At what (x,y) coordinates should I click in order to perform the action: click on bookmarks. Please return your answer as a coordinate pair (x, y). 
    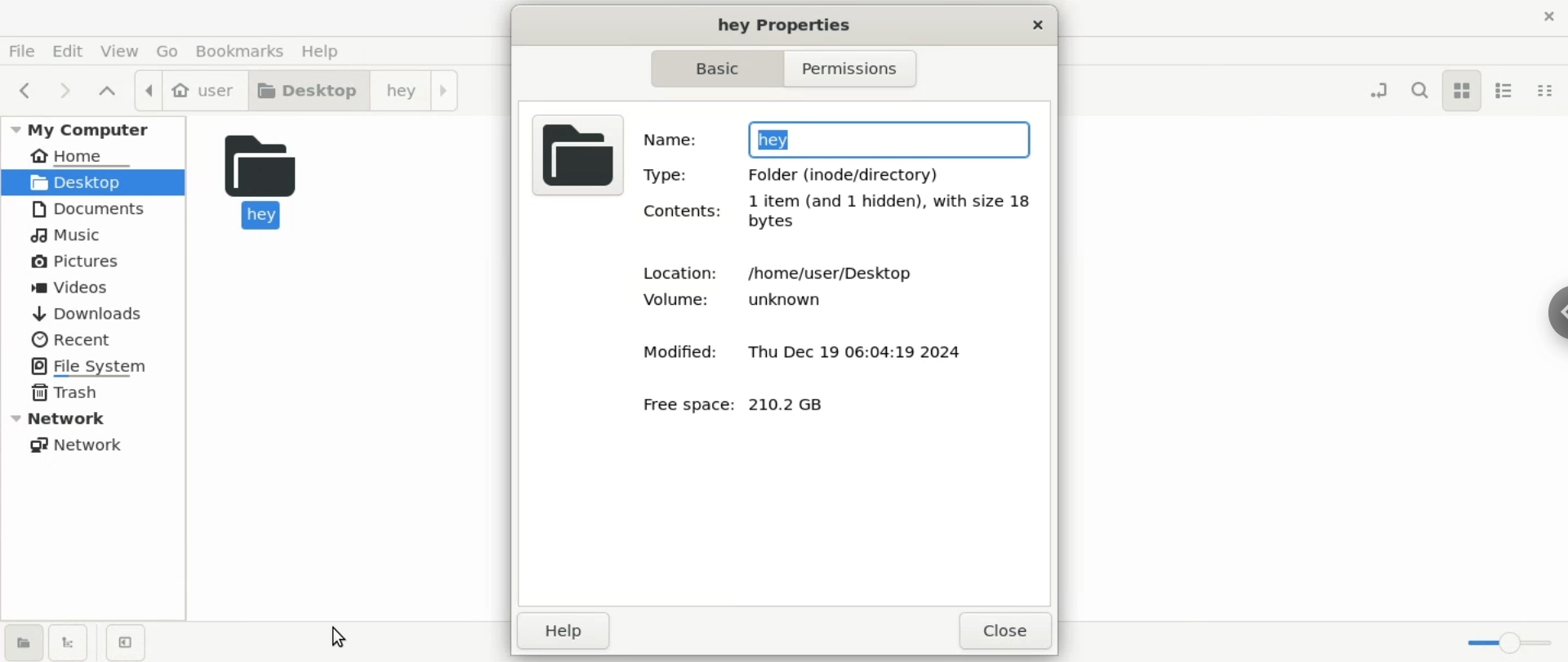
    Looking at the image, I should click on (247, 51).